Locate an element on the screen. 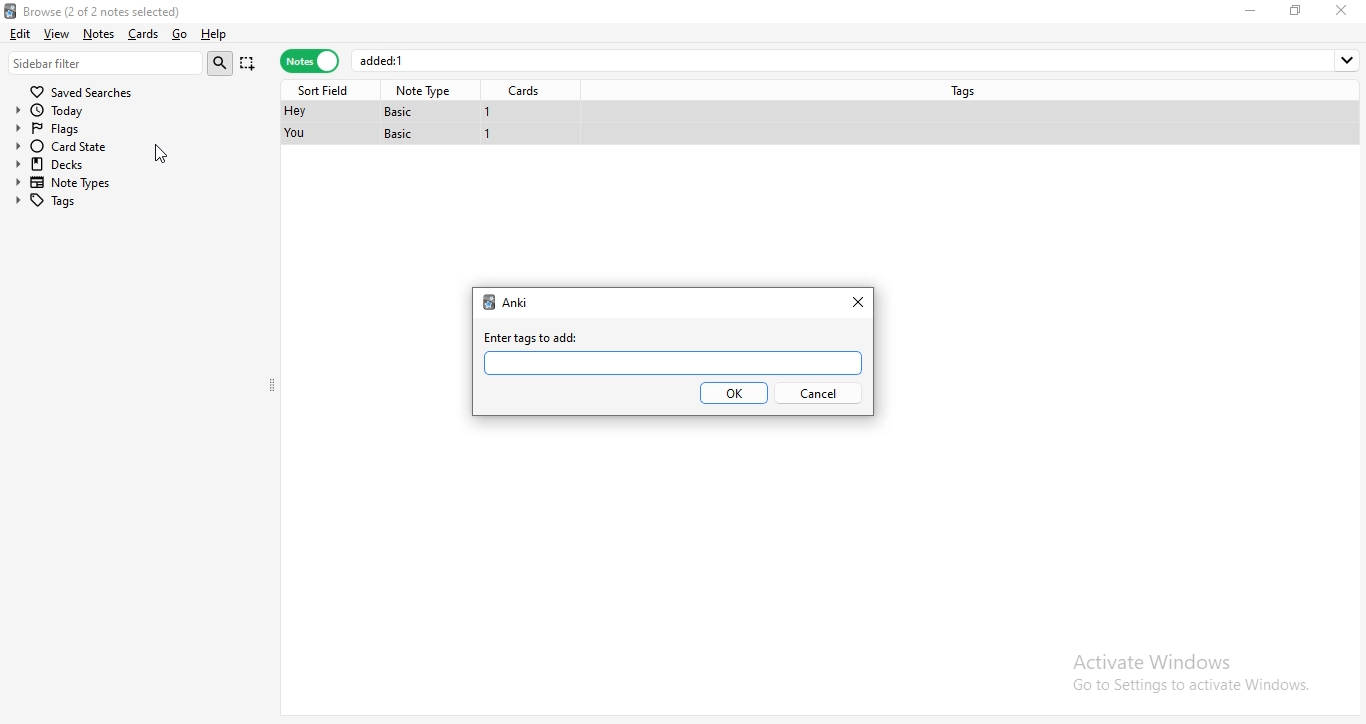 The image size is (1366, 724). flags is located at coordinates (67, 127).